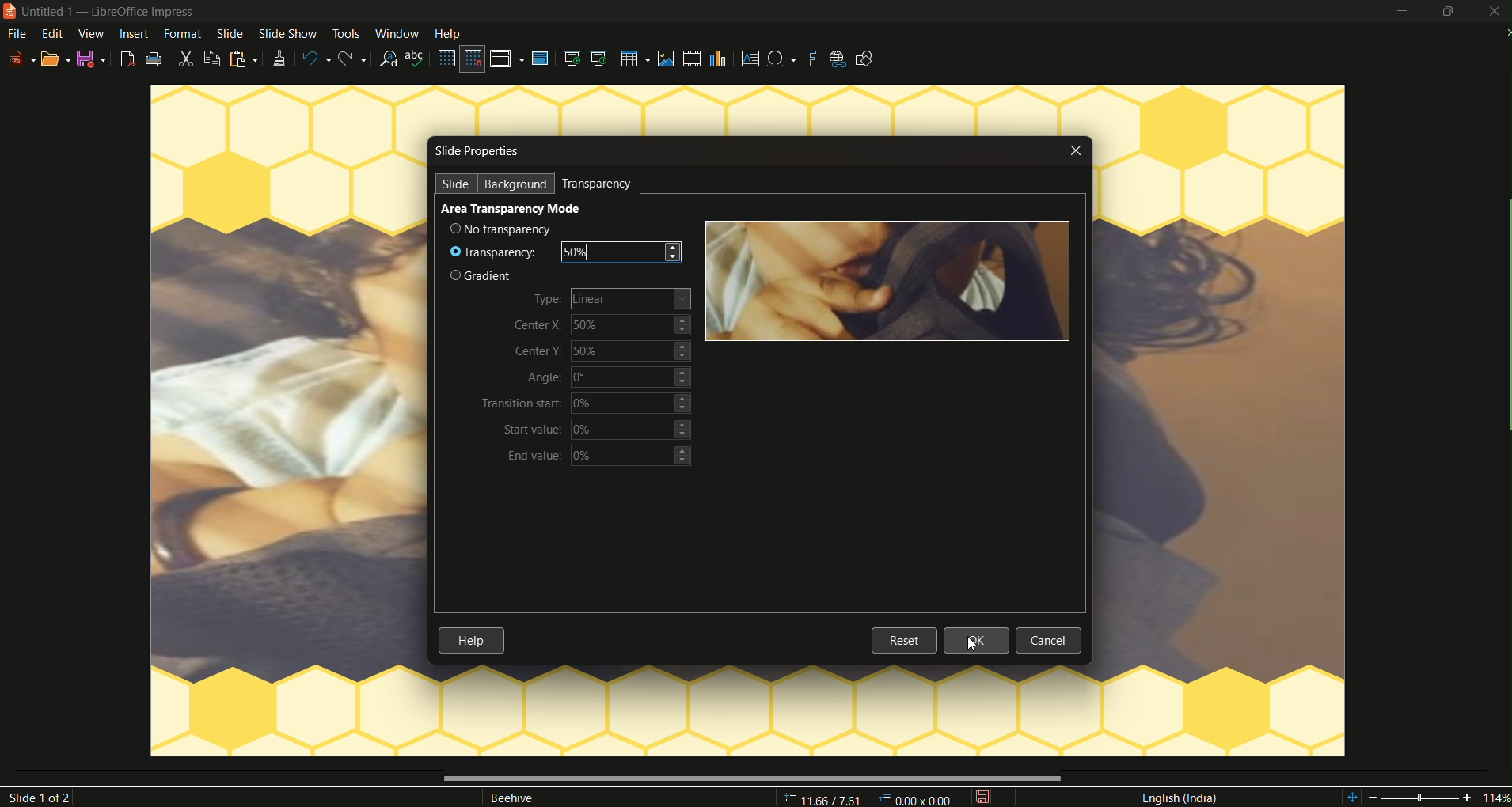 This screenshot has width=1512, height=807. I want to click on save, so click(92, 60).